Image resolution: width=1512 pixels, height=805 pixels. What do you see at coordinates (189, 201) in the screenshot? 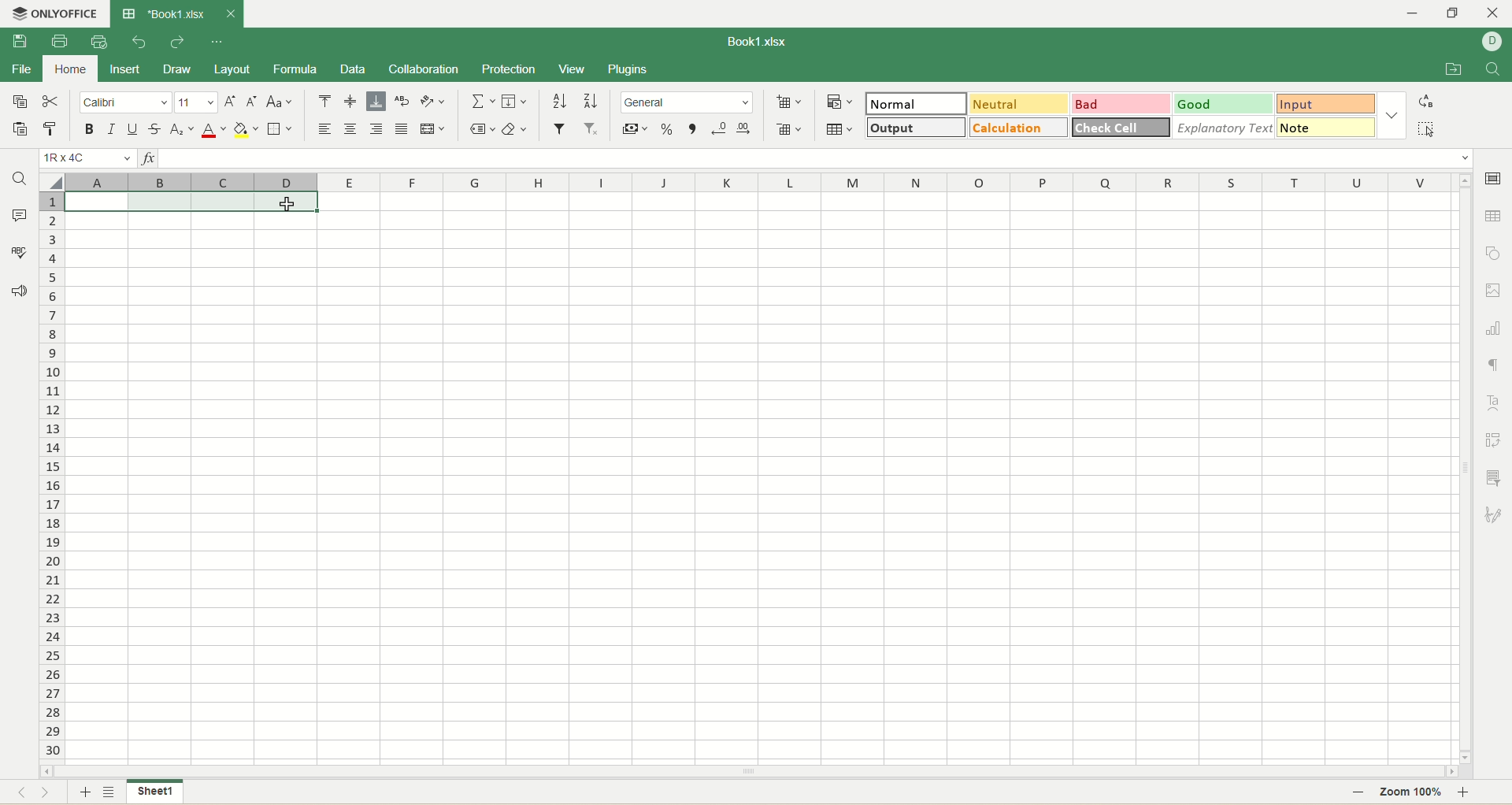
I see `selected cells` at bounding box center [189, 201].